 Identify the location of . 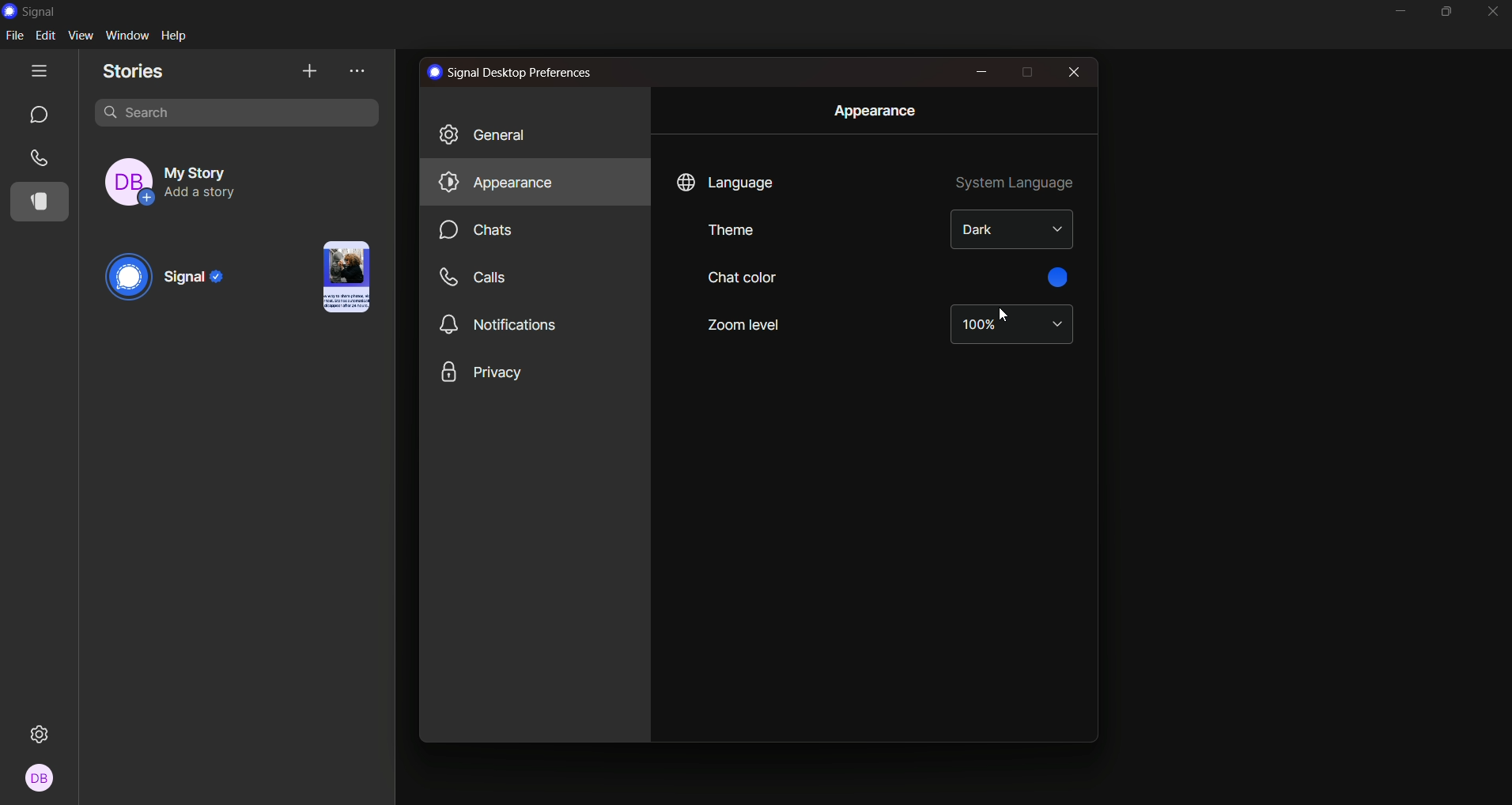
(43, 779).